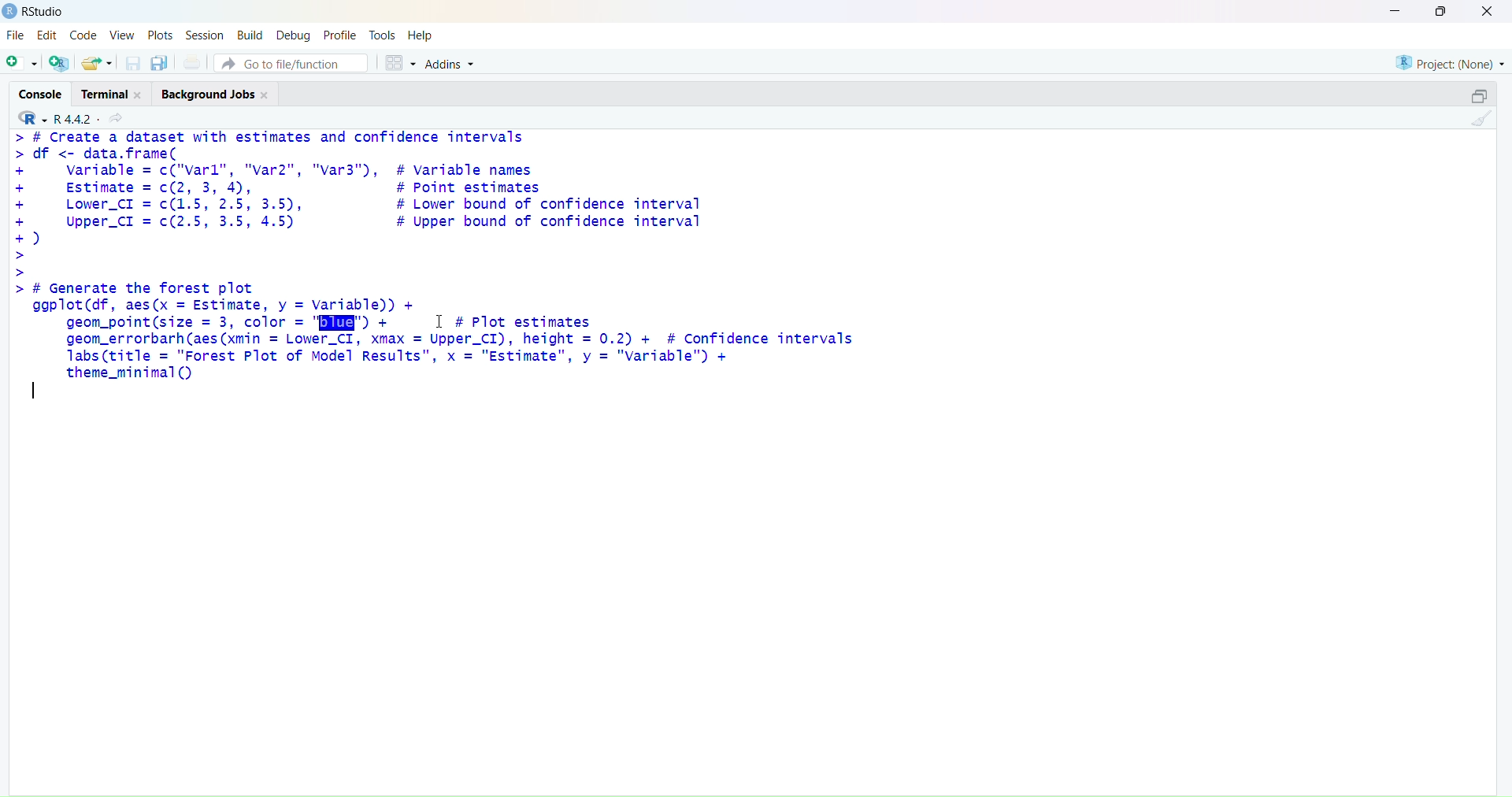 This screenshot has height=797, width=1512. I want to click on Help, so click(421, 36).